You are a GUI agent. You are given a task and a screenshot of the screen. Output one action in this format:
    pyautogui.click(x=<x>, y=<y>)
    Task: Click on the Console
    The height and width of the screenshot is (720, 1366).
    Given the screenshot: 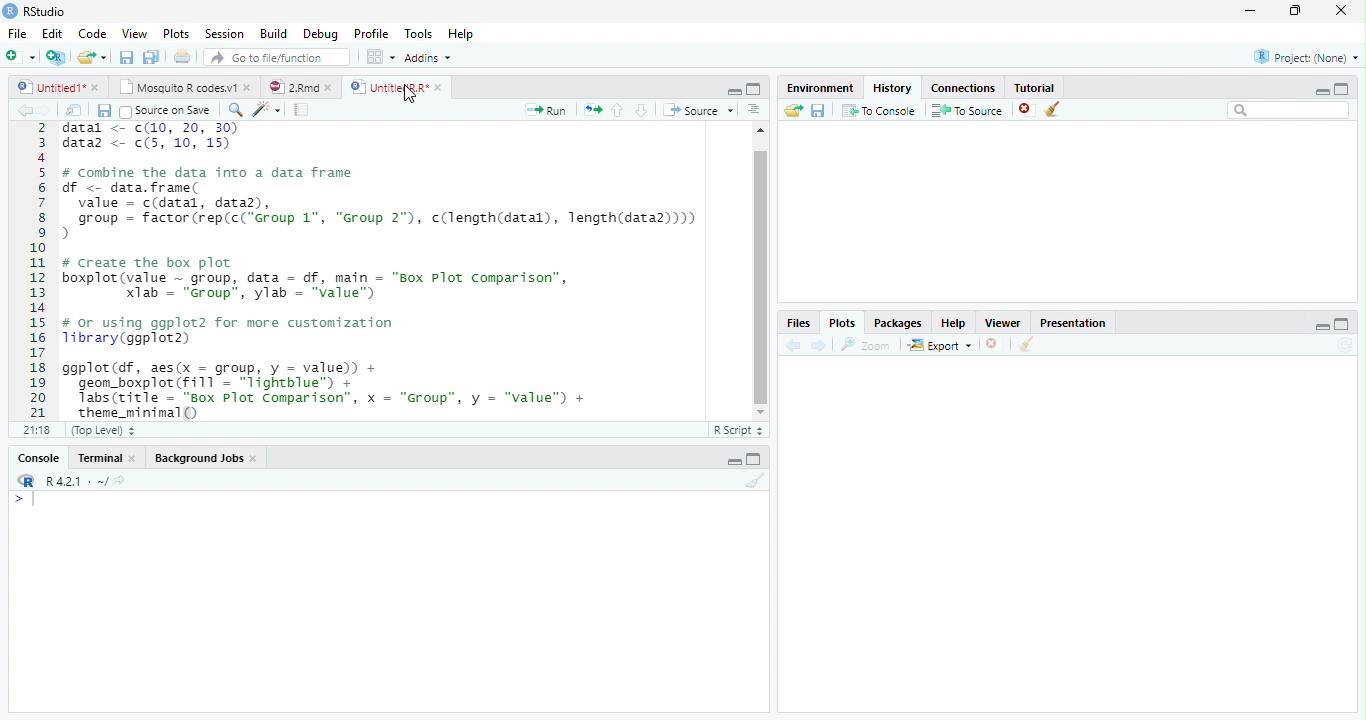 What is the action you would take?
    pyautogui.click(x=38, y=458)
    